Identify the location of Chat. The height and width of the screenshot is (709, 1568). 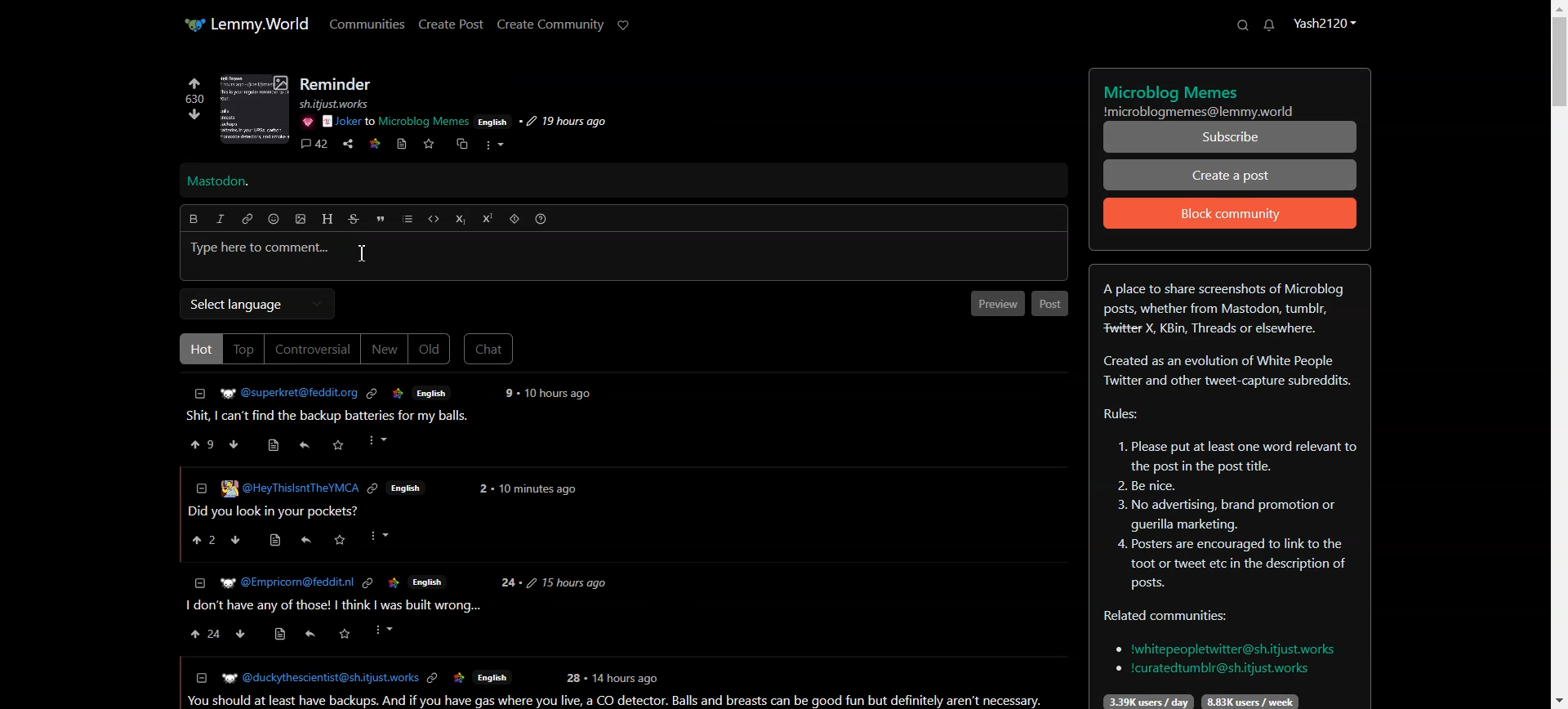
(489, 349).